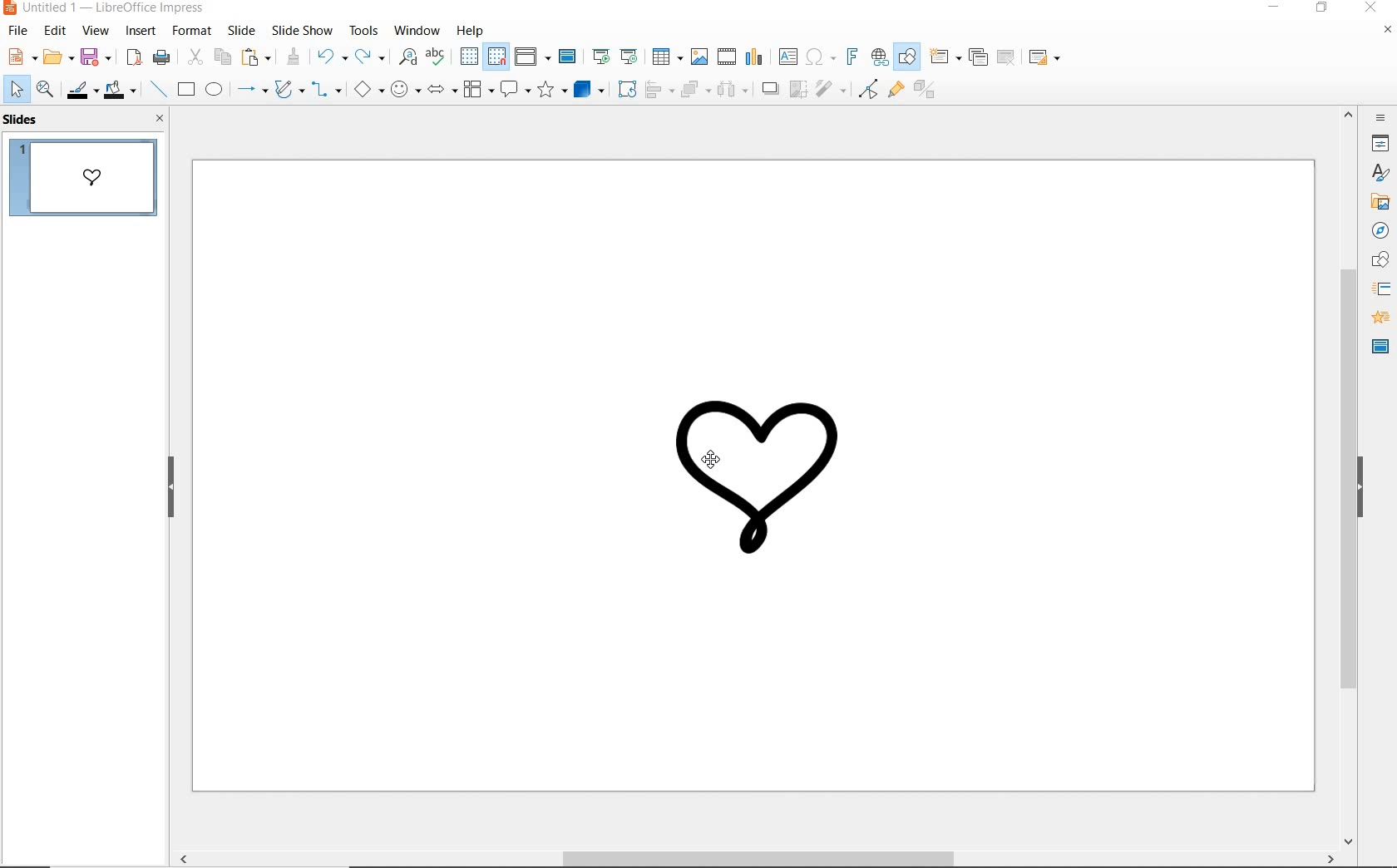 This screenshot has height=868, width=1397. What do you see at coordinates (17, 32) in the screenshot?
I see `file` at bounding box center [17, 32].